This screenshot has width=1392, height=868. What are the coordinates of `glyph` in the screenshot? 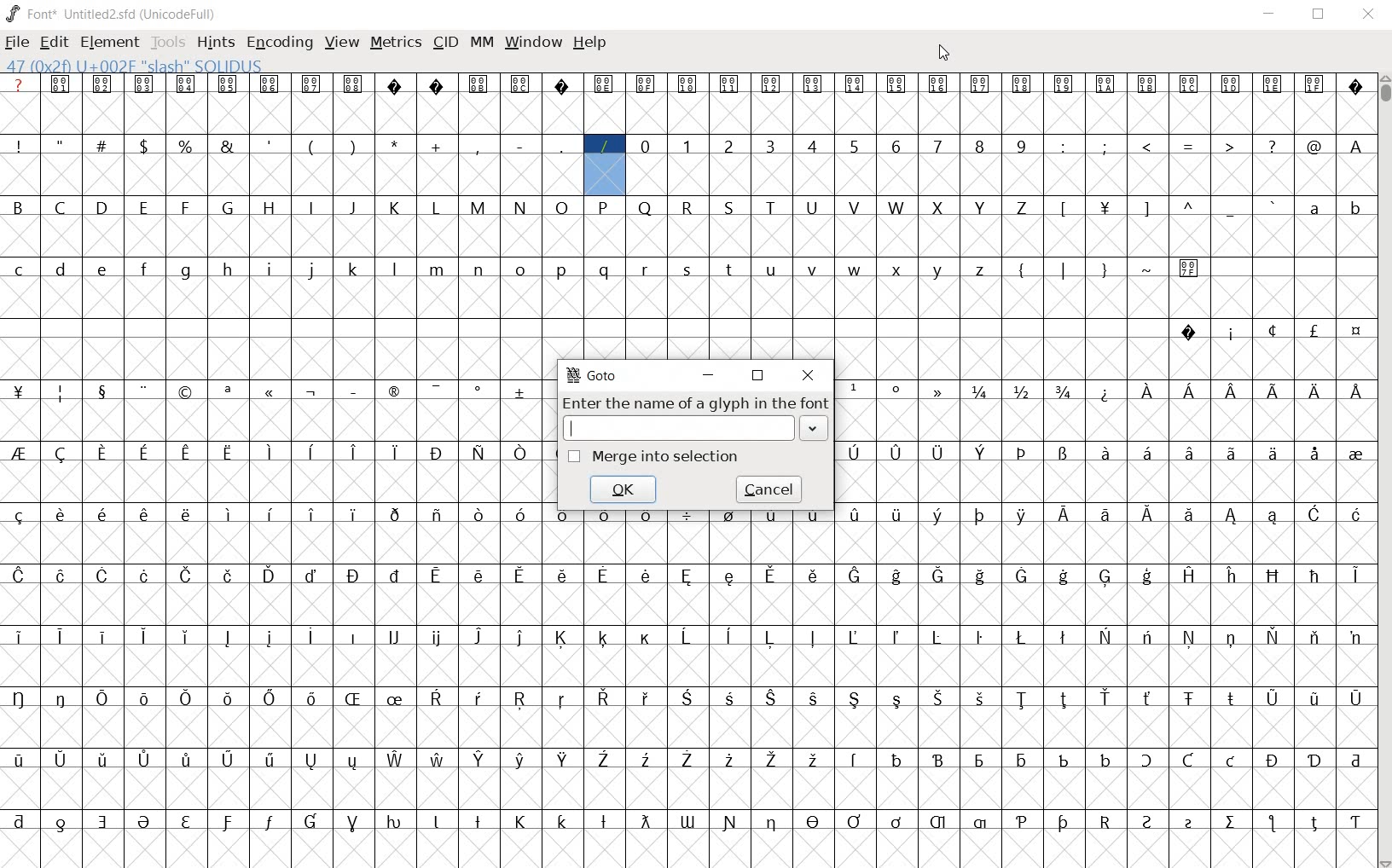 It's located at (1022, 146).